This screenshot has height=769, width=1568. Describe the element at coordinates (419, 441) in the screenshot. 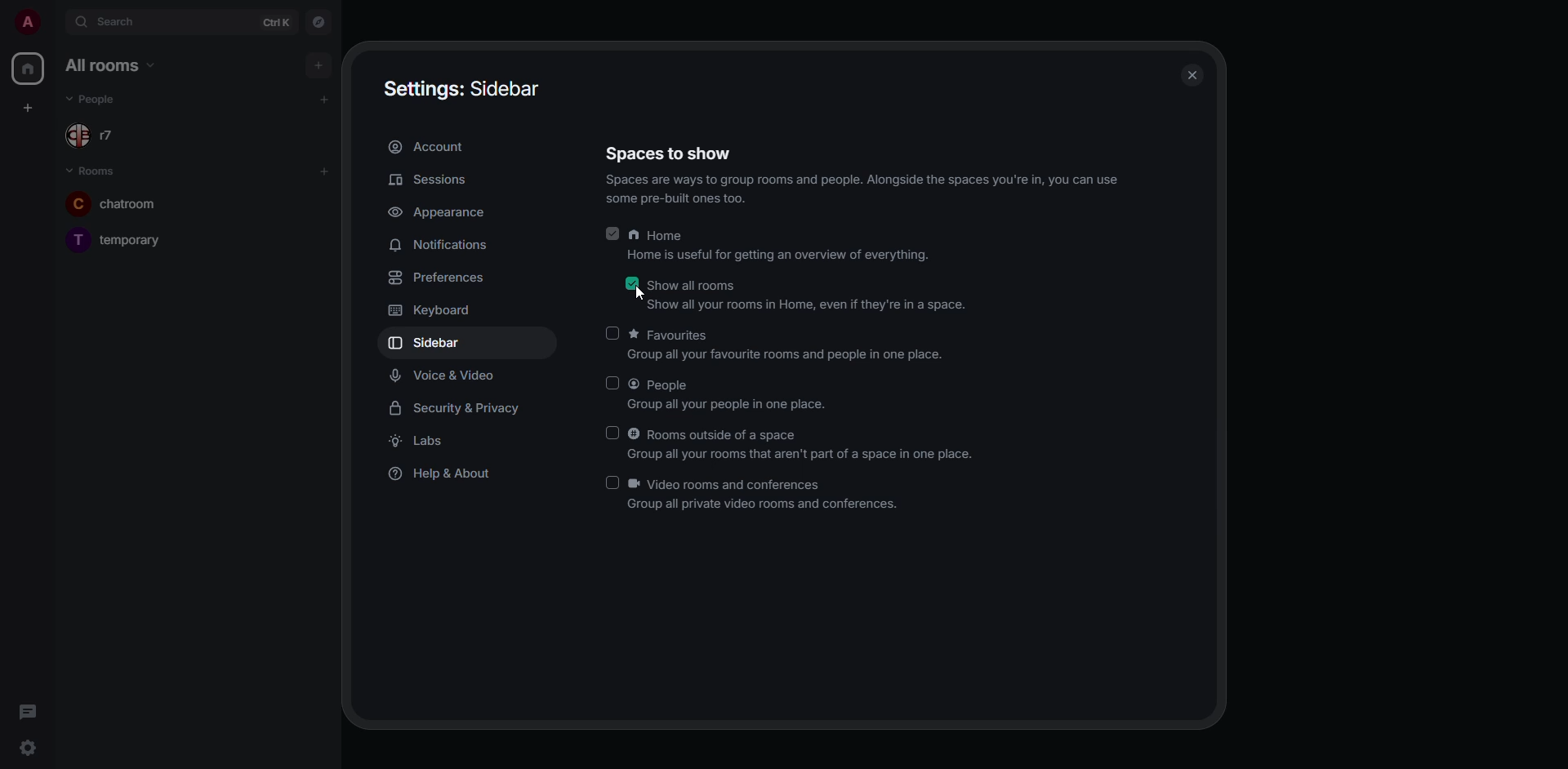

I see `labs` at that location.